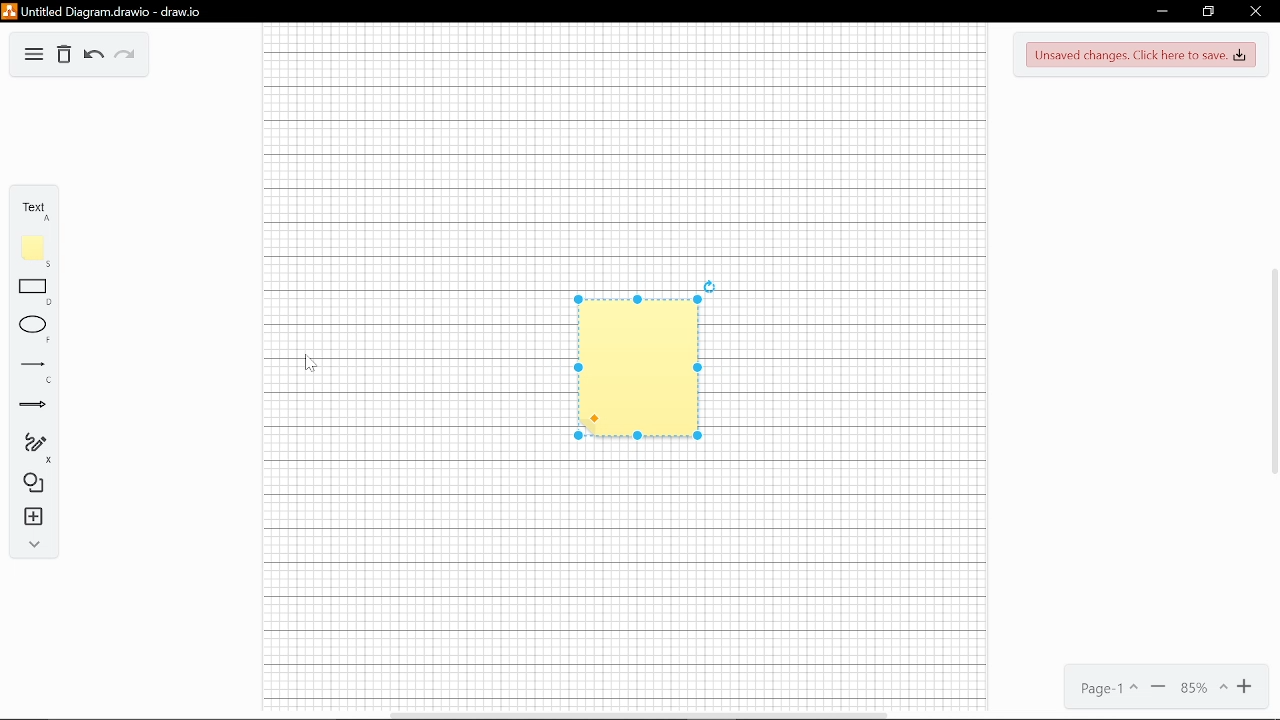 This screenshot has height=720, width=1280. Describe the element at coordinates (1208, 11) in the screenshot. I see `Restore down` at that location.